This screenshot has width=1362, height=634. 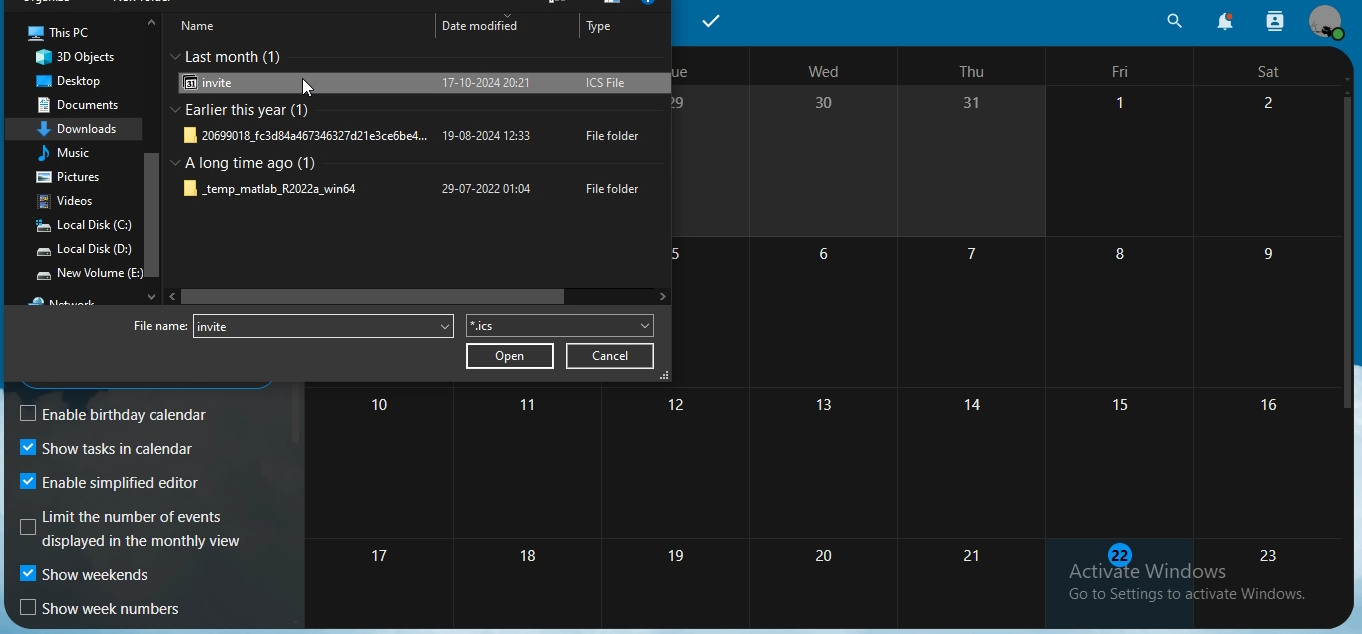 What do you see at coordinates (479, 24) in the screenshot?
I see `date modified` at bounding box center [479, 24].